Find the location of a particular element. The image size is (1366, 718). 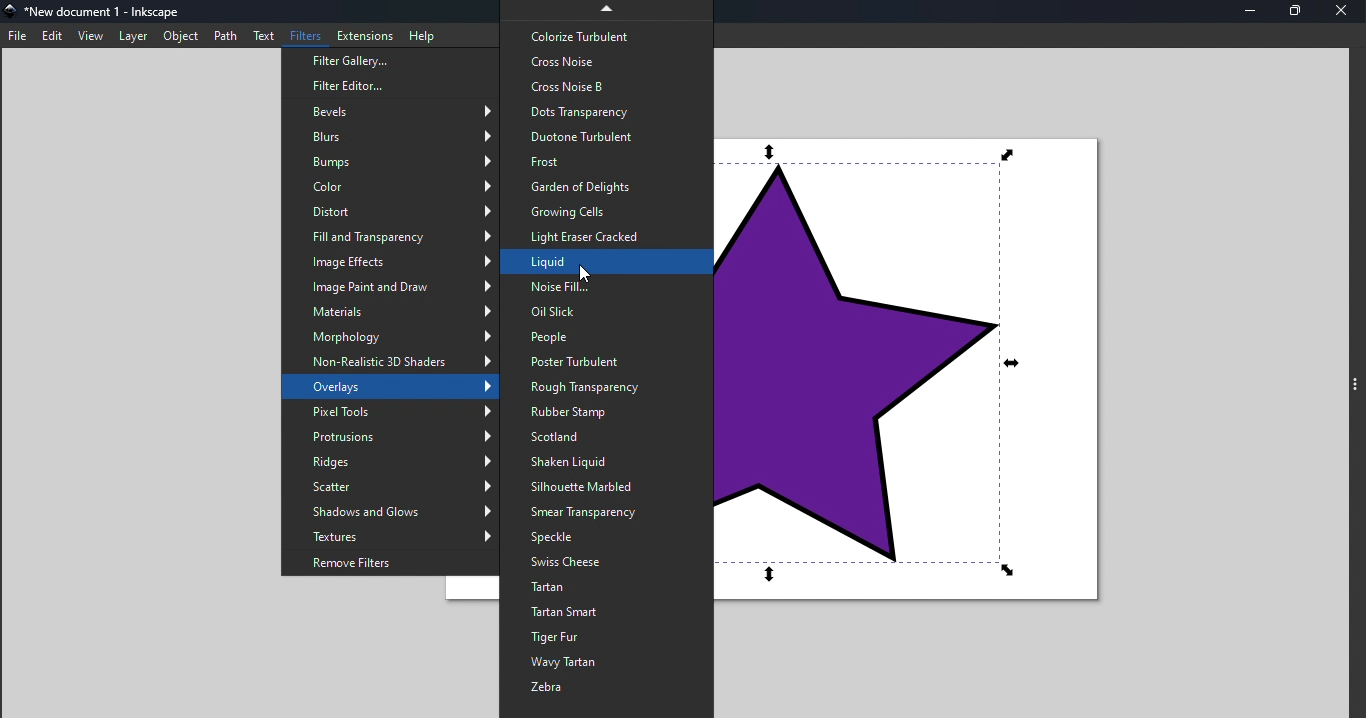

Shadows and Glows is located at coordinates (387, 512).